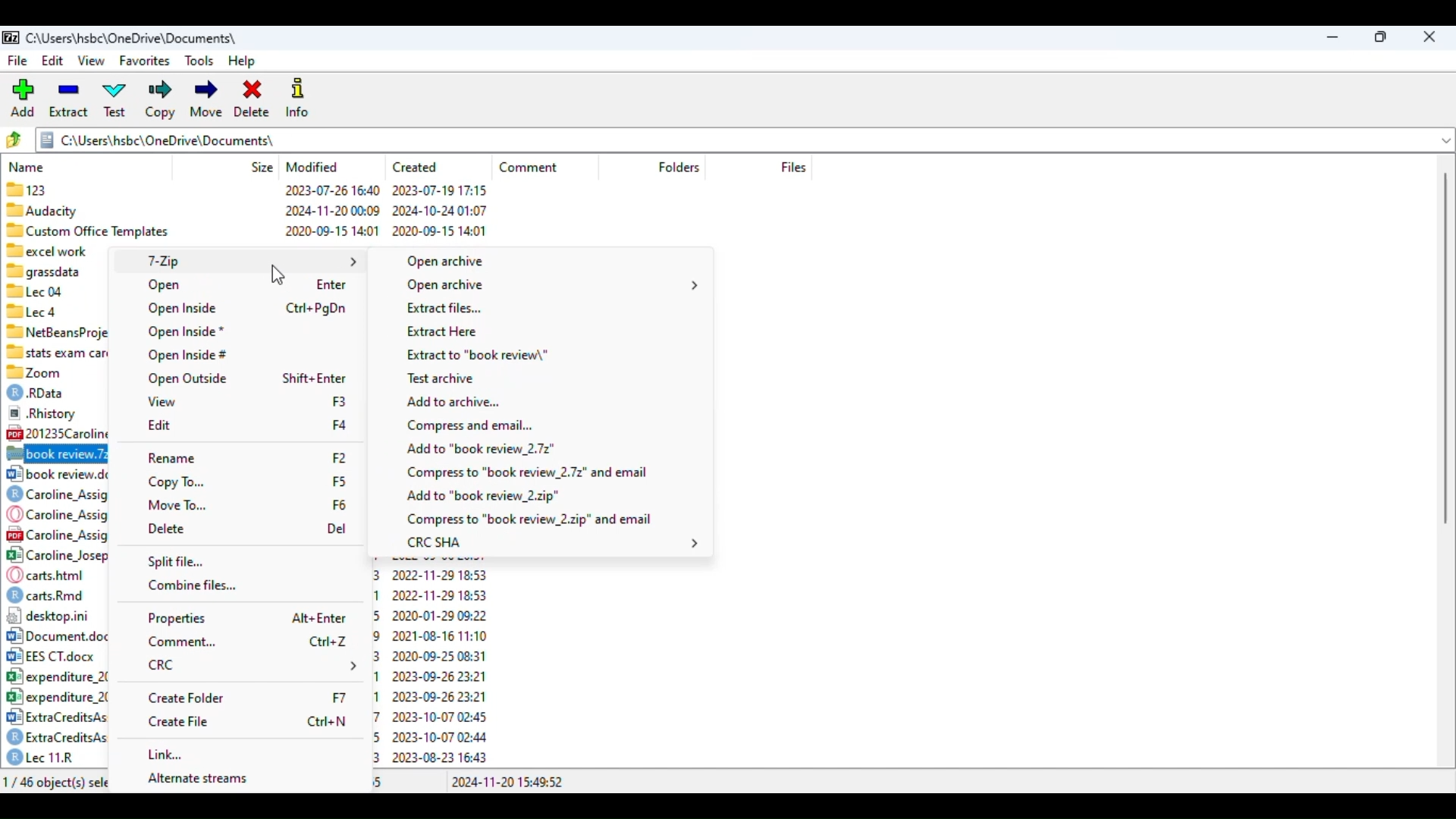 This screenshot has height=819, width=1456. What do you see at coordinates (146, 61) in the screenshot?
I see `favorites` at bounding box center [146, 61].